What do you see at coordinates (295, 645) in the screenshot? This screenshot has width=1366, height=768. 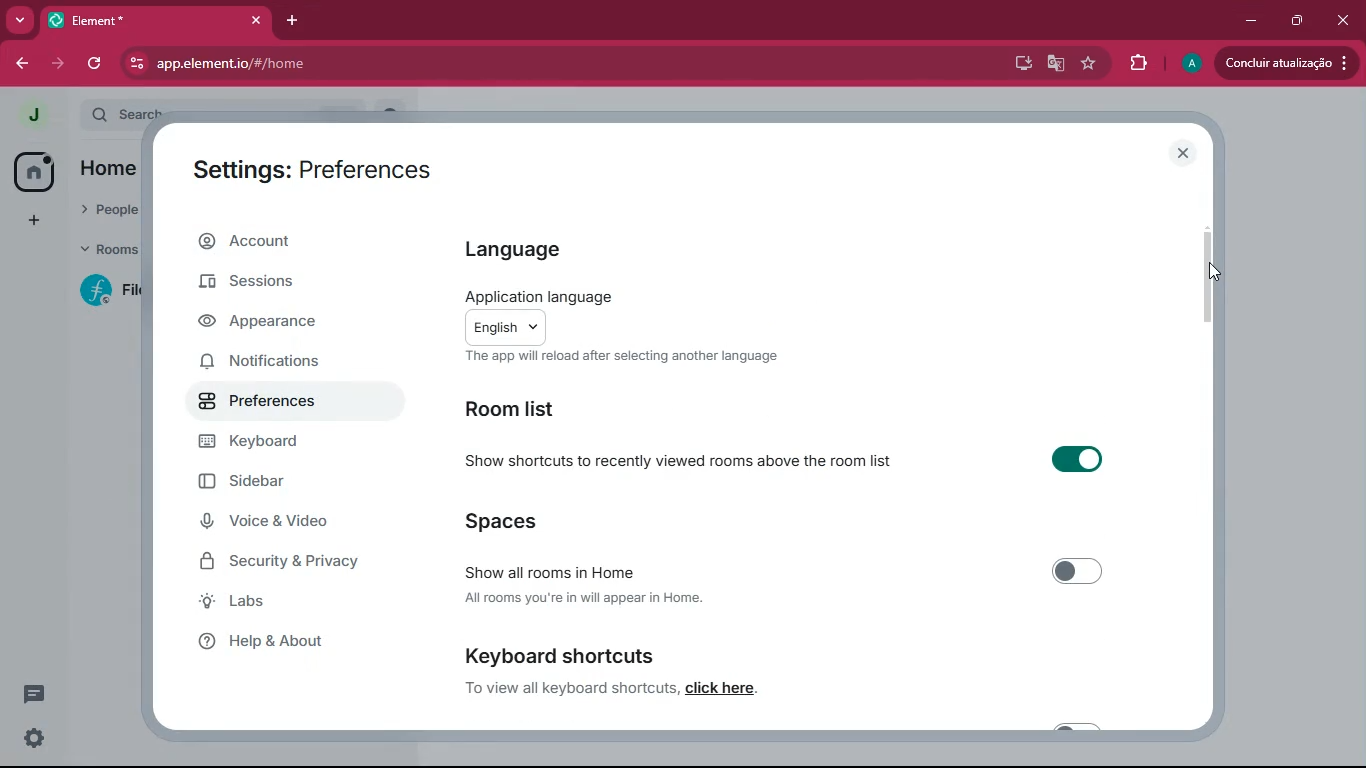 I see `help & about` at bounding box center [295, 645].